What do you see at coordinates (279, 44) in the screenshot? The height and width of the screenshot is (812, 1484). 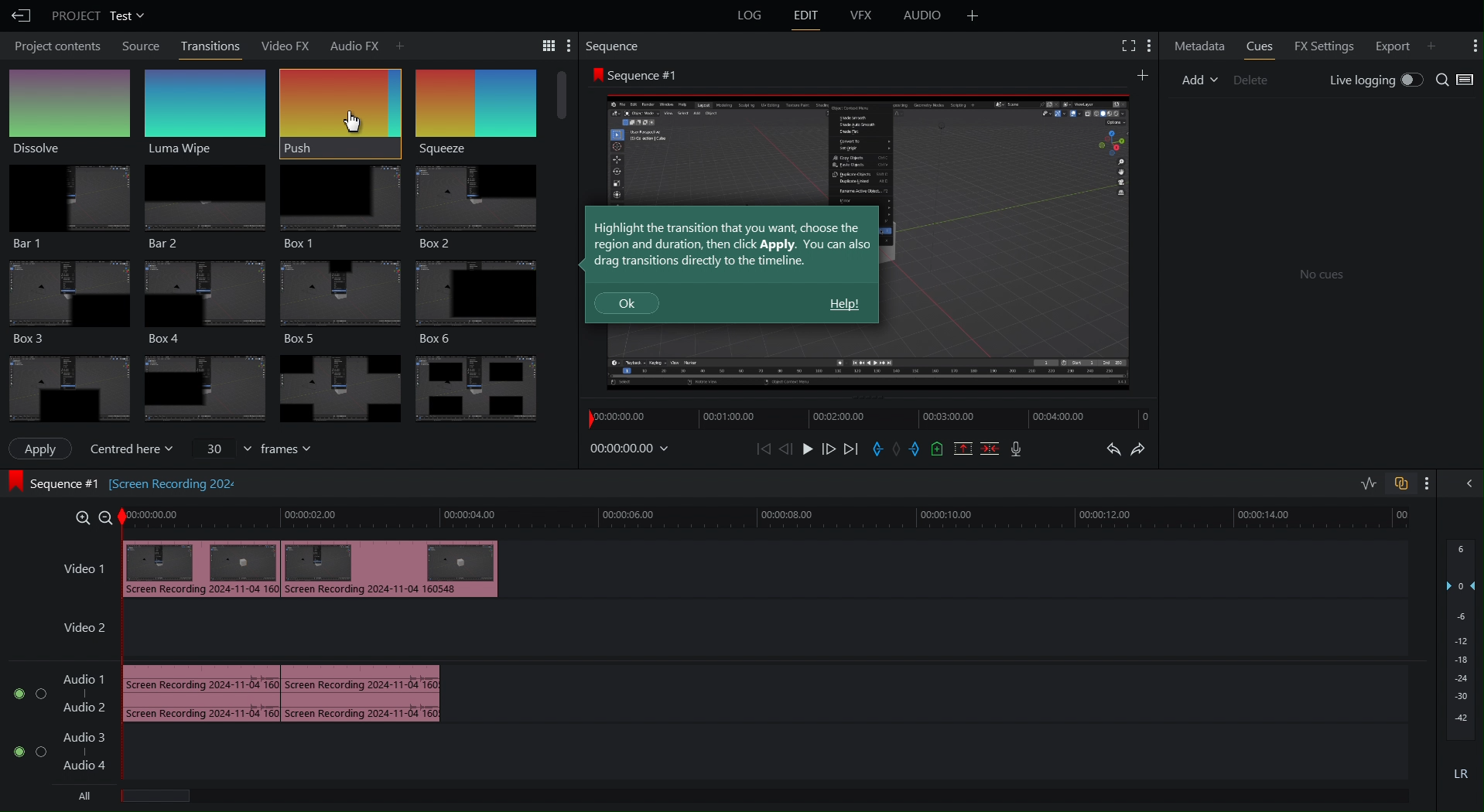 I see `Video FX` at bounding box center [279, 44].